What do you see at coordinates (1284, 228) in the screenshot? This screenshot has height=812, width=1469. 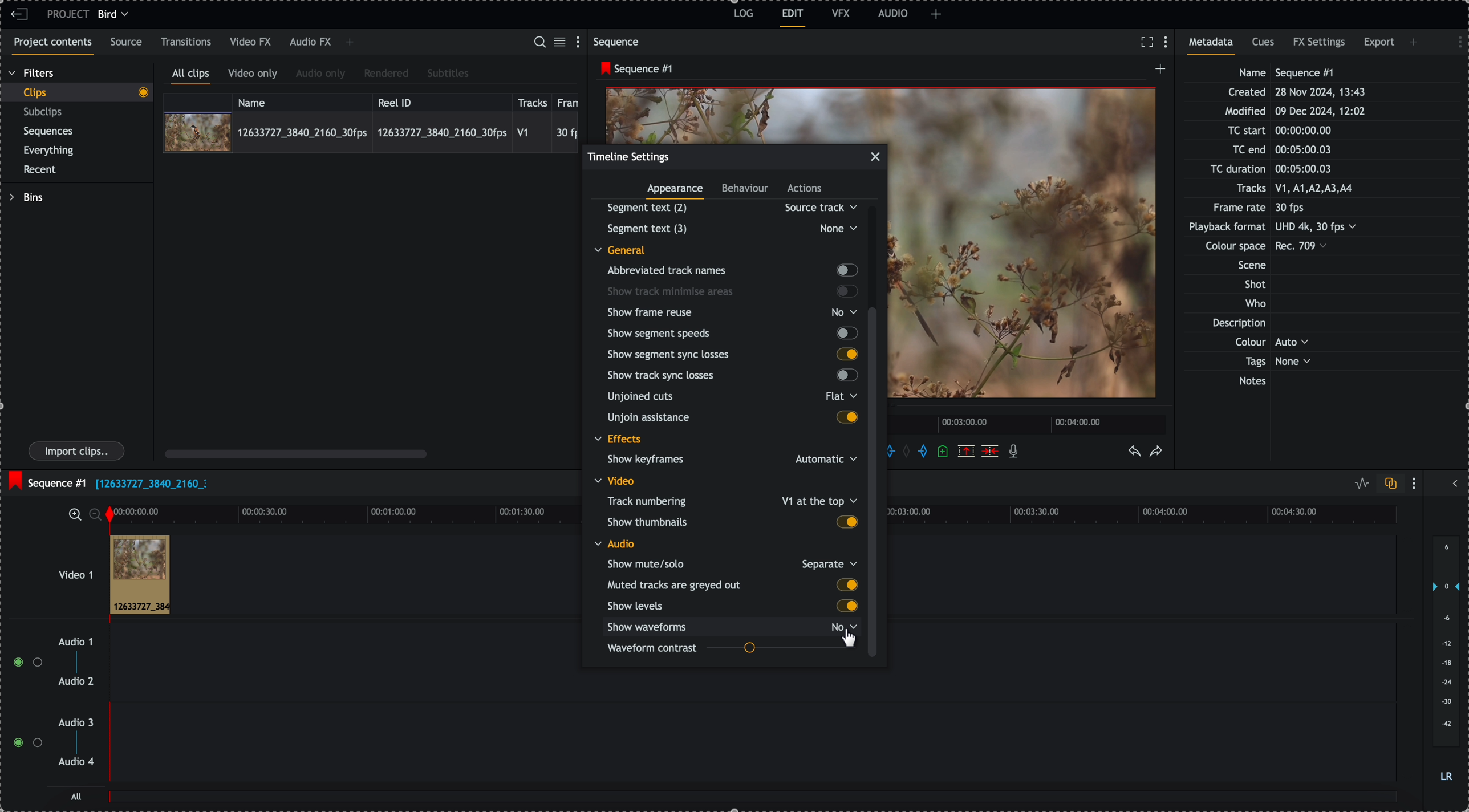 I see `metadata` at bounding box center [1284, 228].